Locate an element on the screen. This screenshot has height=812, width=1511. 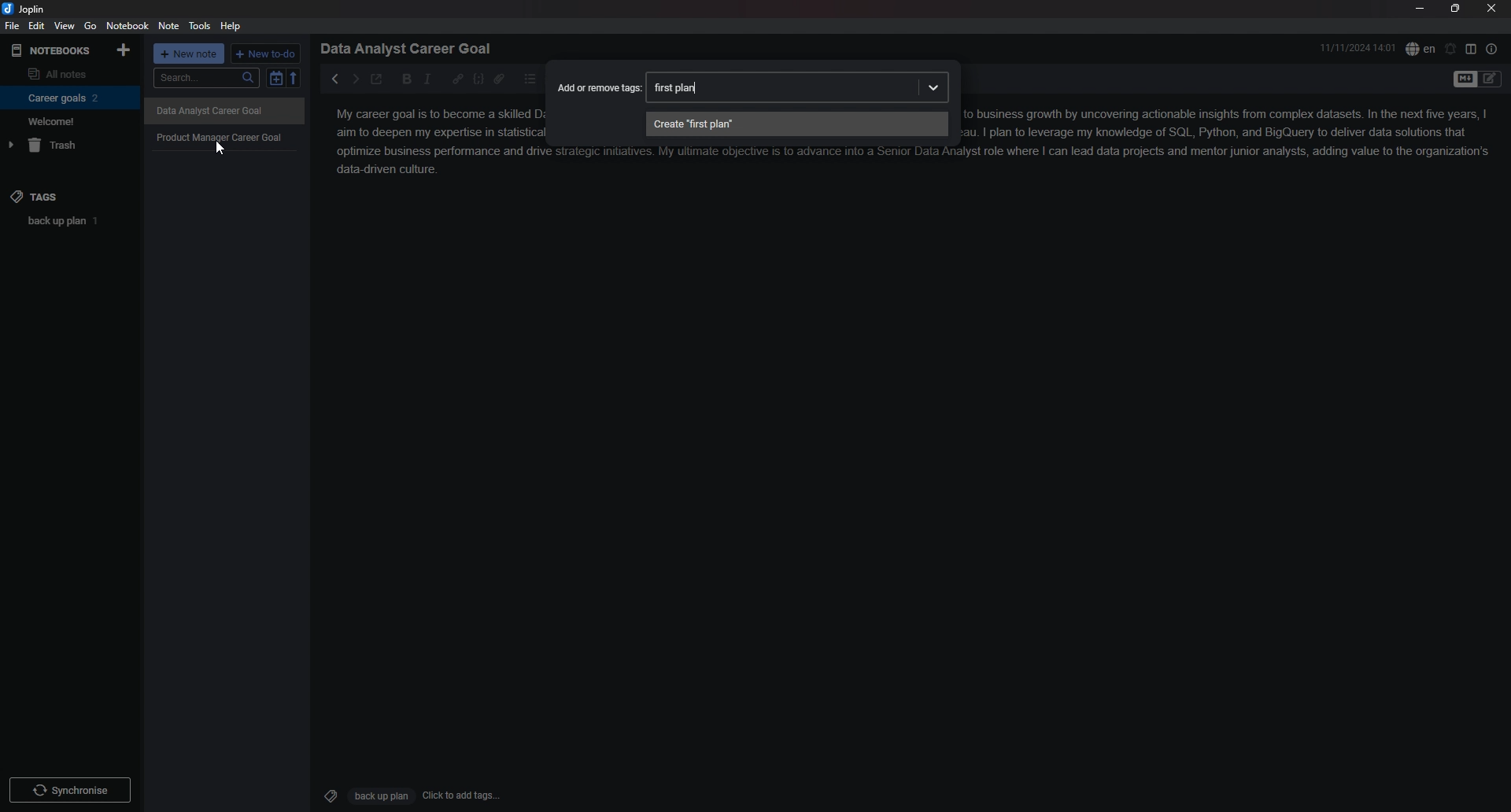
search... is located at coordinates (205, 78).